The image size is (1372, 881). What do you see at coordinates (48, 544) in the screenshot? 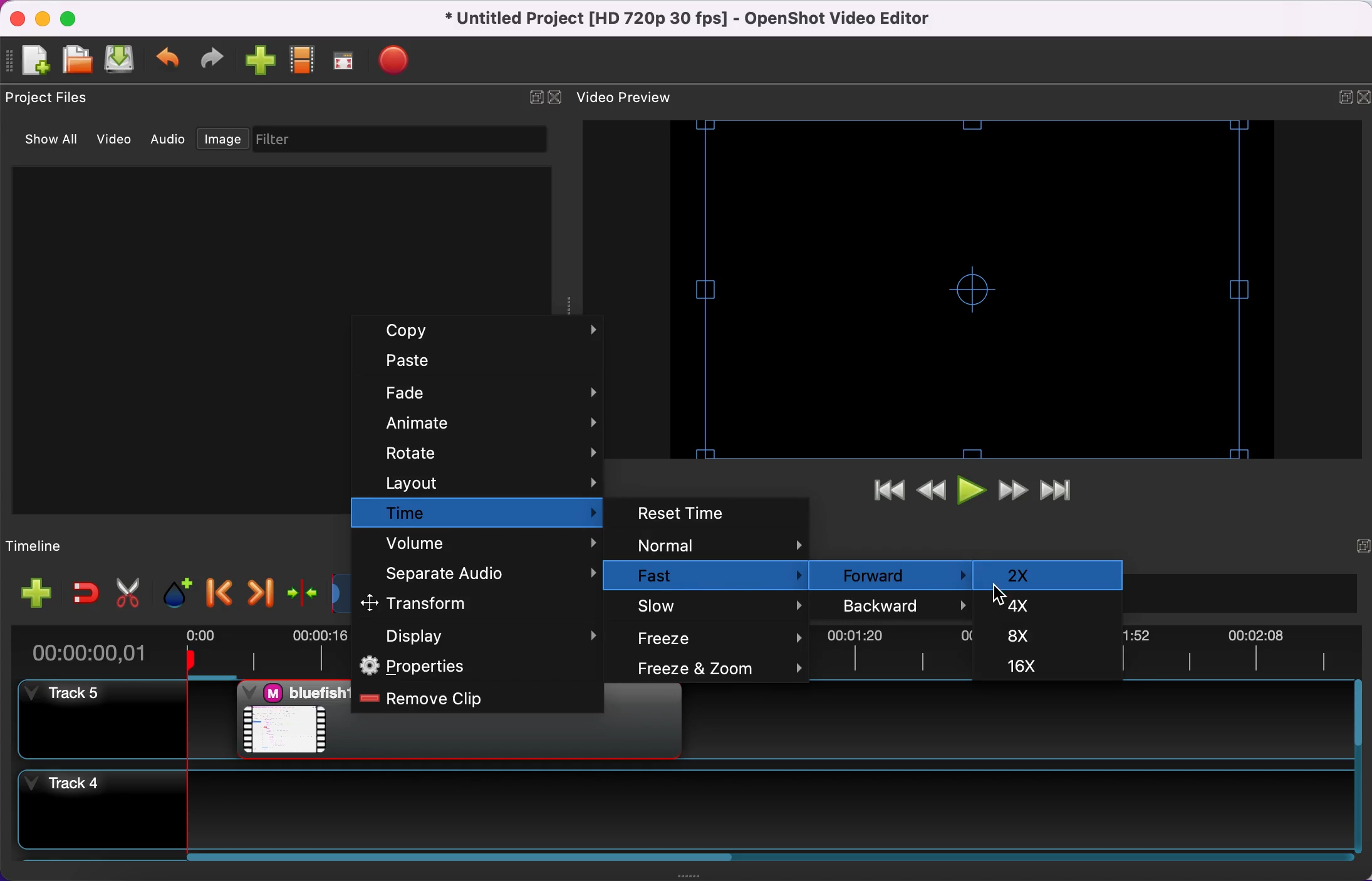
I see `timeline` at bounding box center [48, 544].